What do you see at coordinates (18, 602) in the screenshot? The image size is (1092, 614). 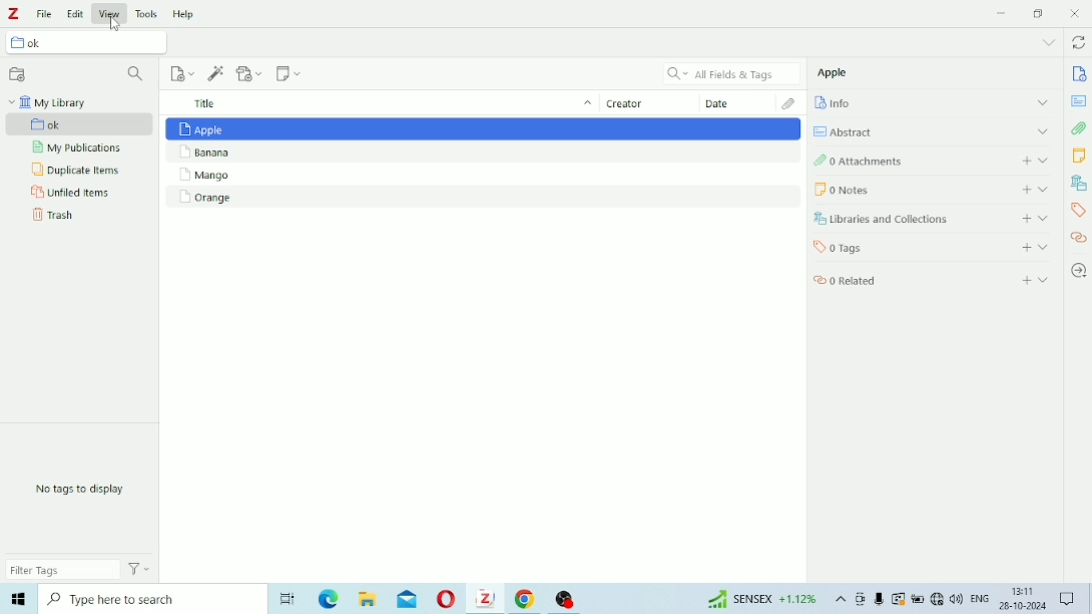 I see `Windows button` at bounding box center [18, 602].